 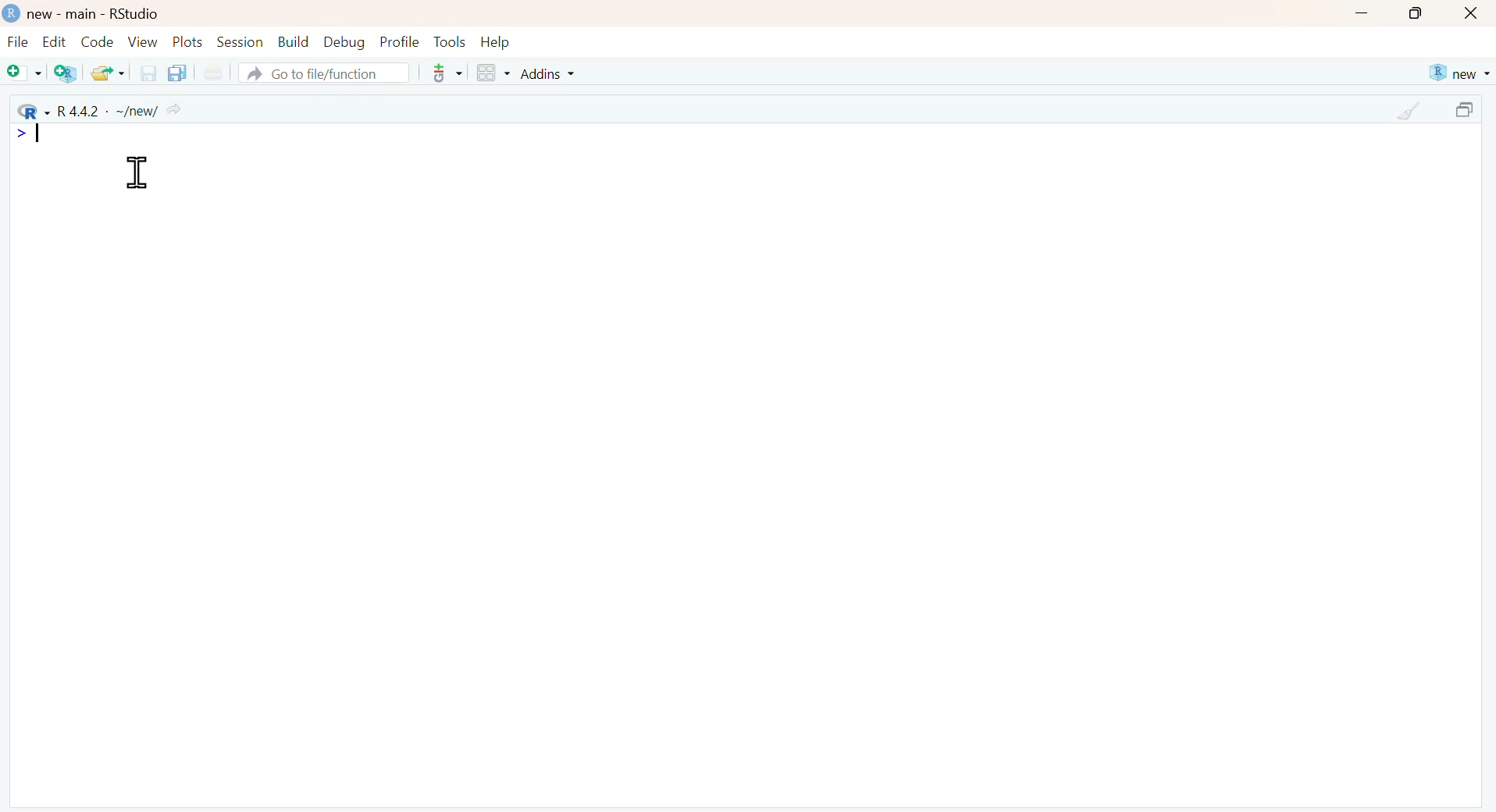 I want to click on Tools, so click(x=450, y=41).